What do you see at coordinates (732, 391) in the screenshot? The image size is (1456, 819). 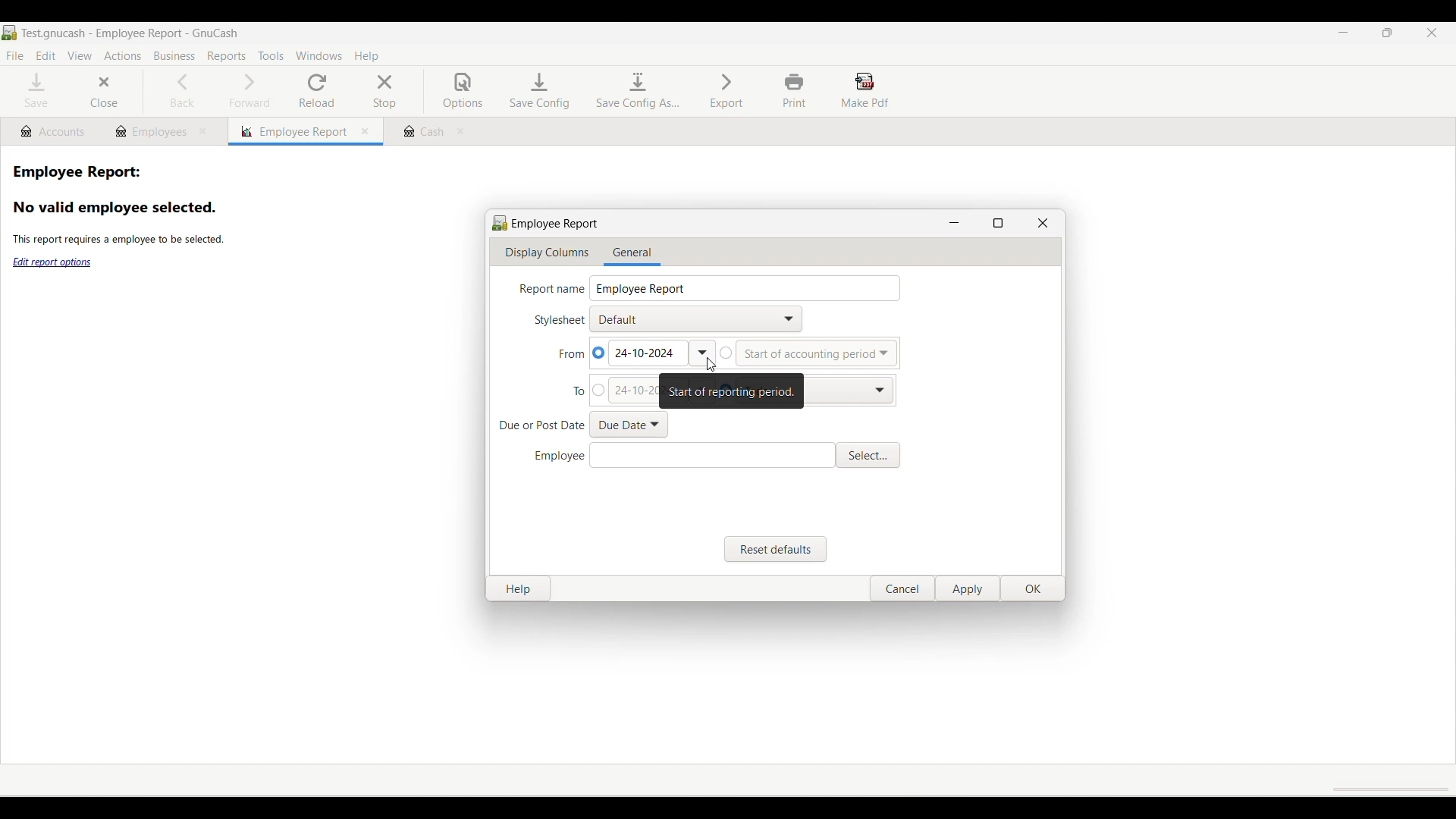 I see `Description of selected button` at bounding box center [732, 391].